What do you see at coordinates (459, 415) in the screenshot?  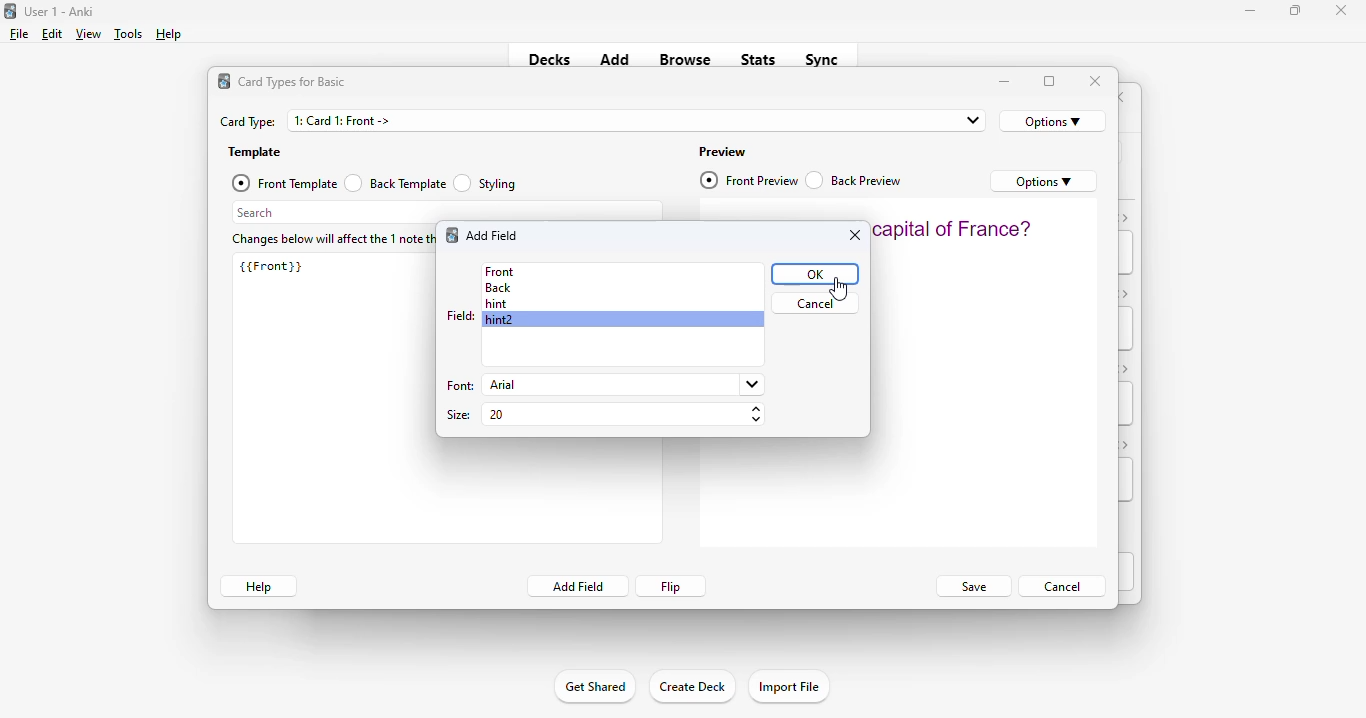 I see `size:` at bounding box center [459, 415].